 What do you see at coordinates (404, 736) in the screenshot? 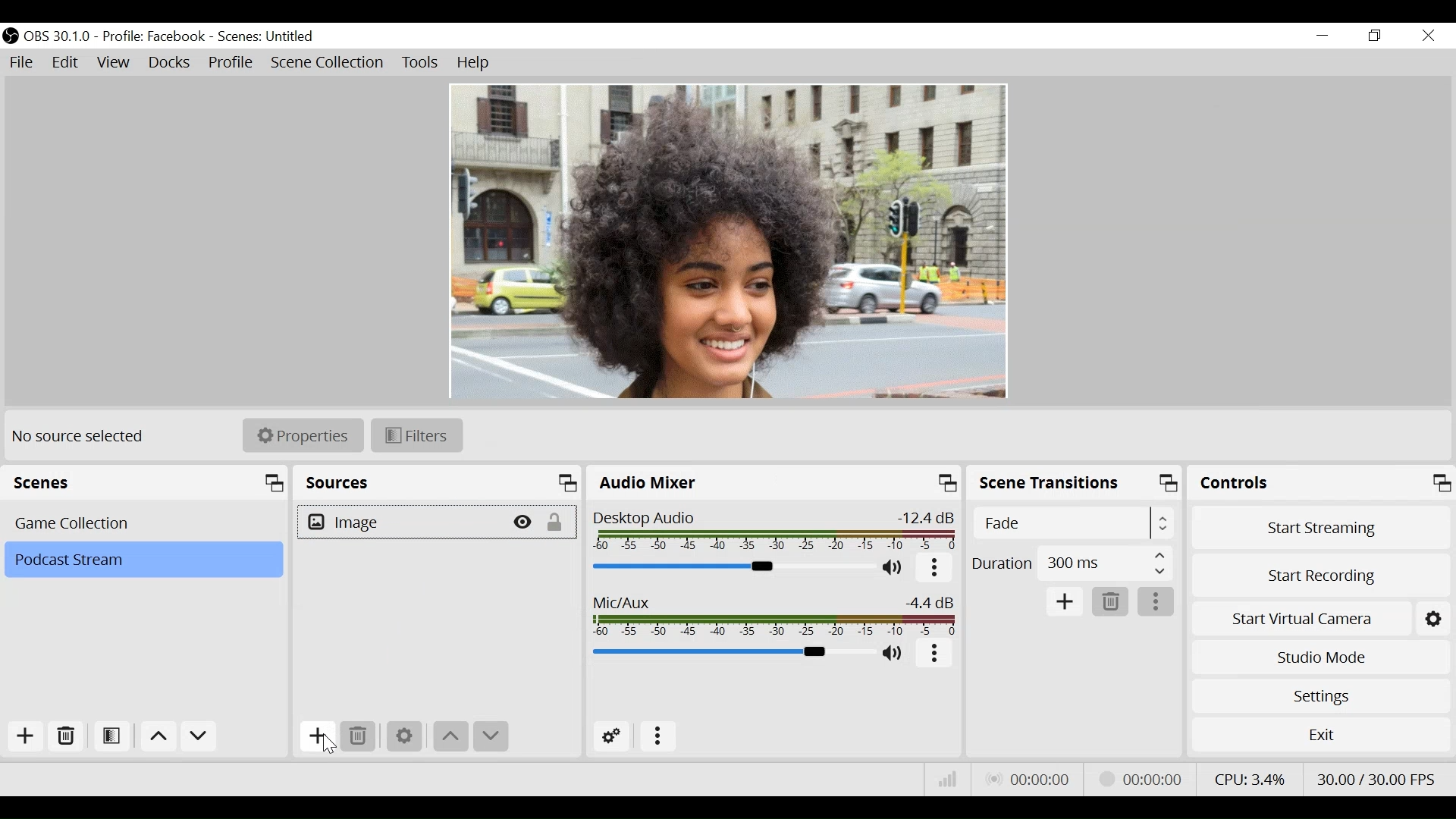
I see `Settings` at bounding box center [404, 736].